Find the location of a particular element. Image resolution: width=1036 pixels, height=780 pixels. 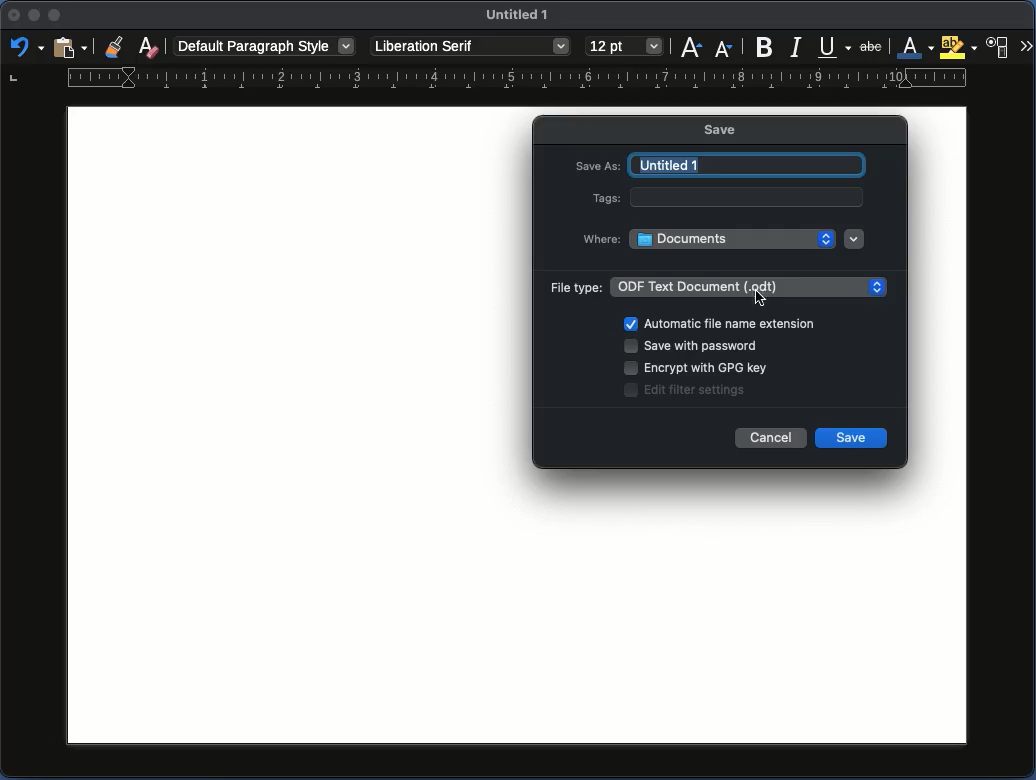

Size is located at coordinates (624, 47).